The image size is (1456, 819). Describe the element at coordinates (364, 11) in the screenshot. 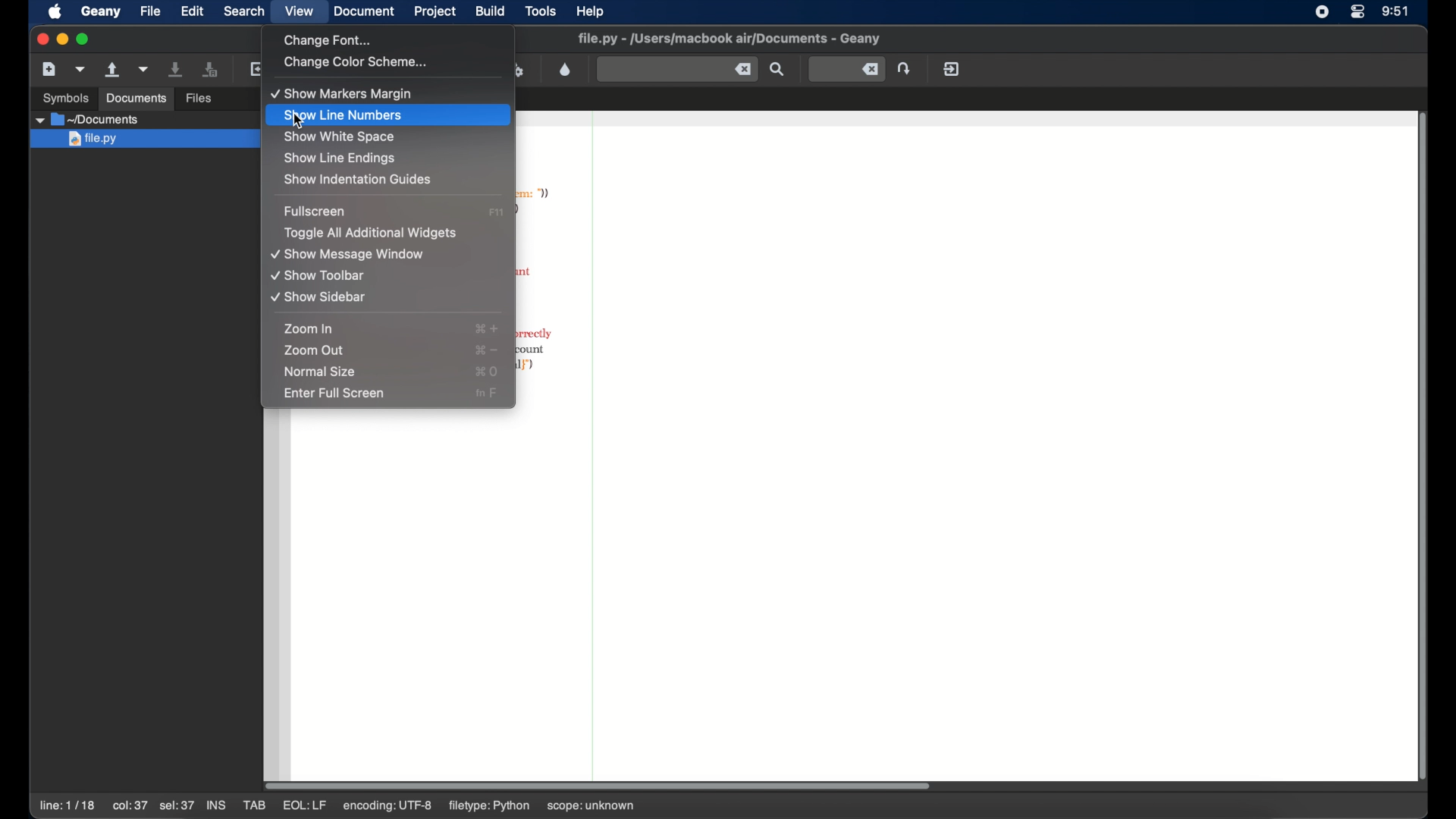

I see `document` at that location.